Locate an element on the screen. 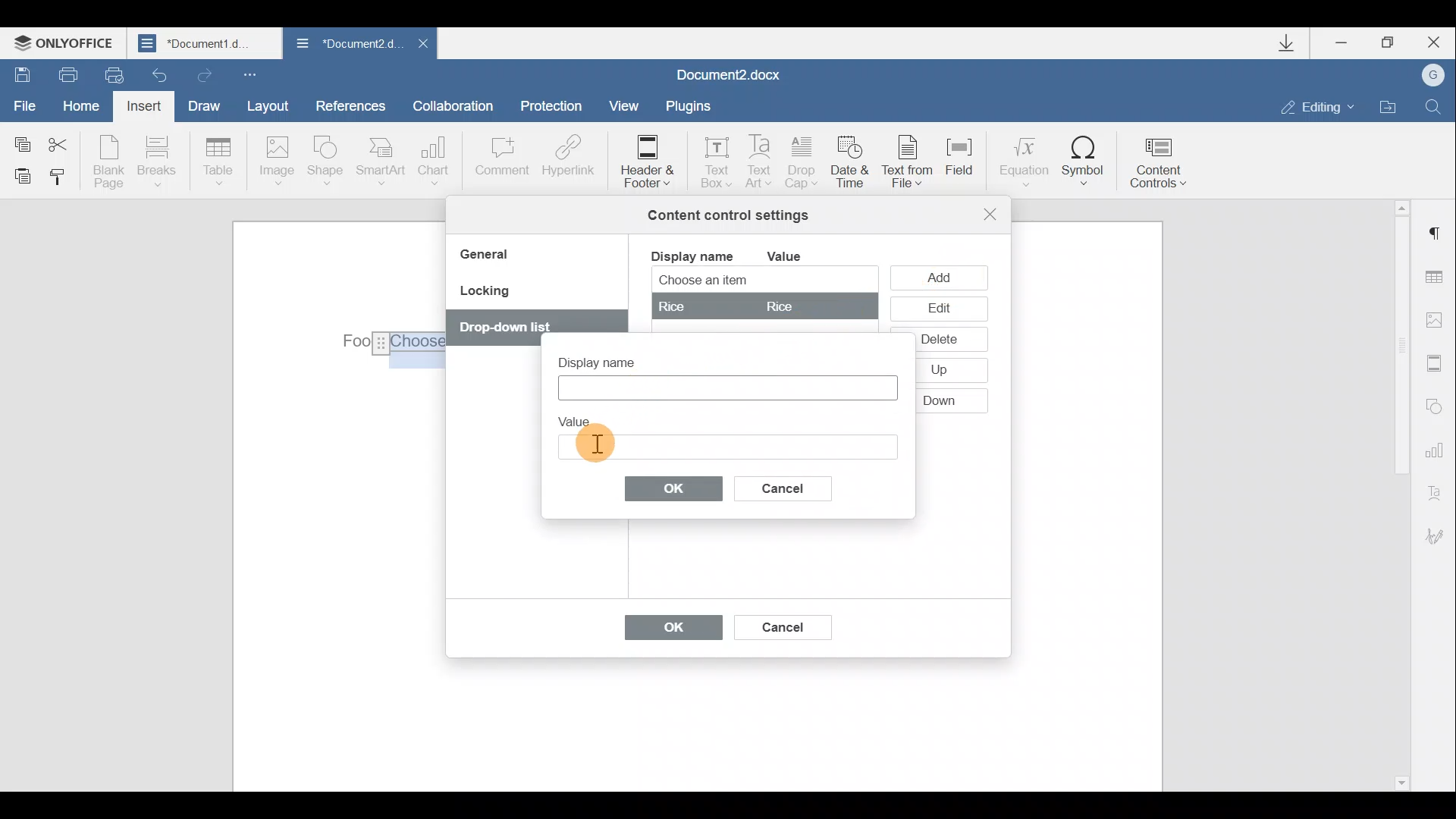  Locking is located at coordinates (484, 296).